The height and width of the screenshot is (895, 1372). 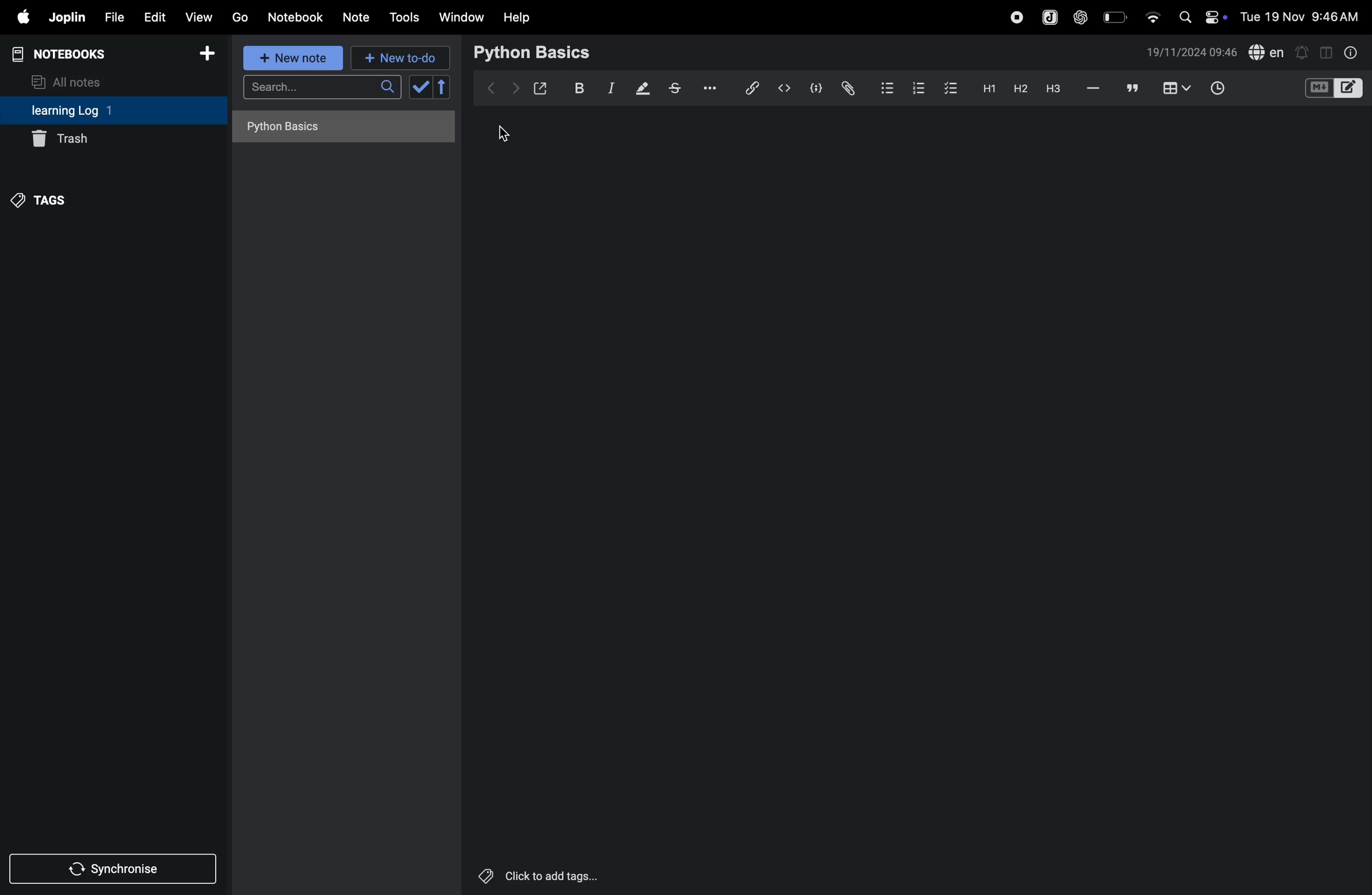 What do you see at coordinates (199, 17) in the screenshot?
I see `view` at bounding box center [199, 17].